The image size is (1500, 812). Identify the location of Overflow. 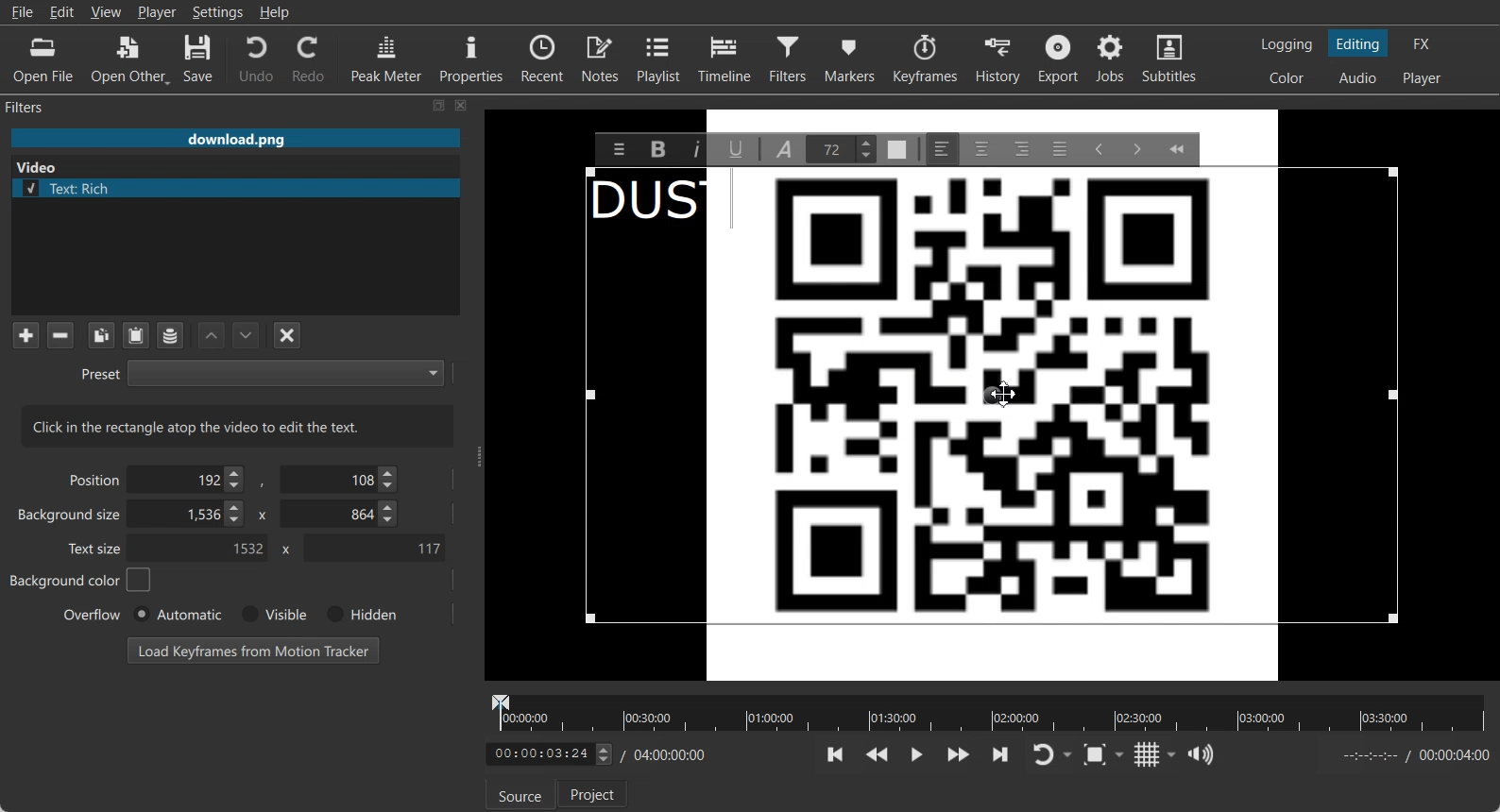
(93, 614).